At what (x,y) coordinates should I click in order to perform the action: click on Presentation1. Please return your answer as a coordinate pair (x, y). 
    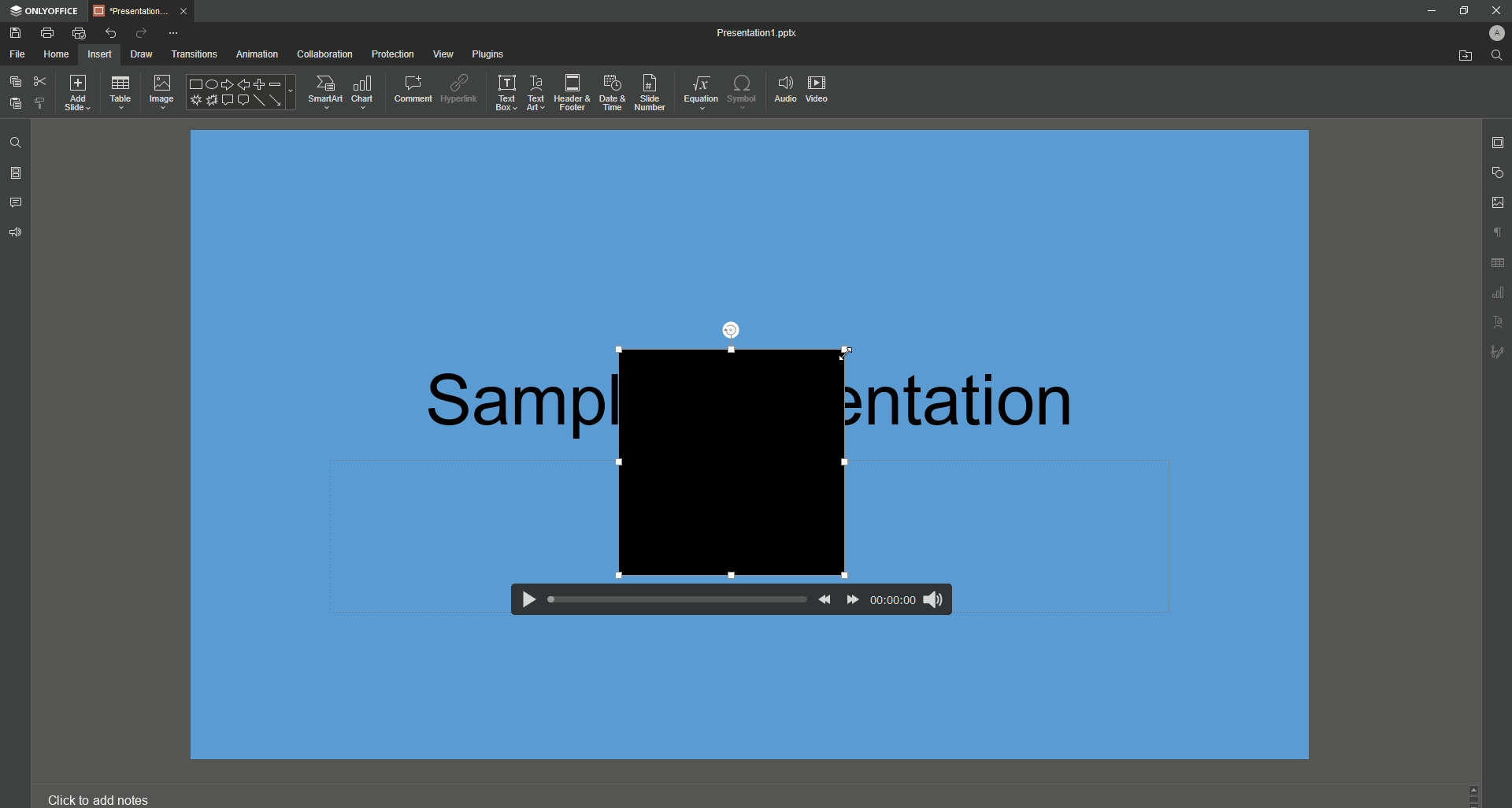
    Looking at the image, I should click on (744, 35).